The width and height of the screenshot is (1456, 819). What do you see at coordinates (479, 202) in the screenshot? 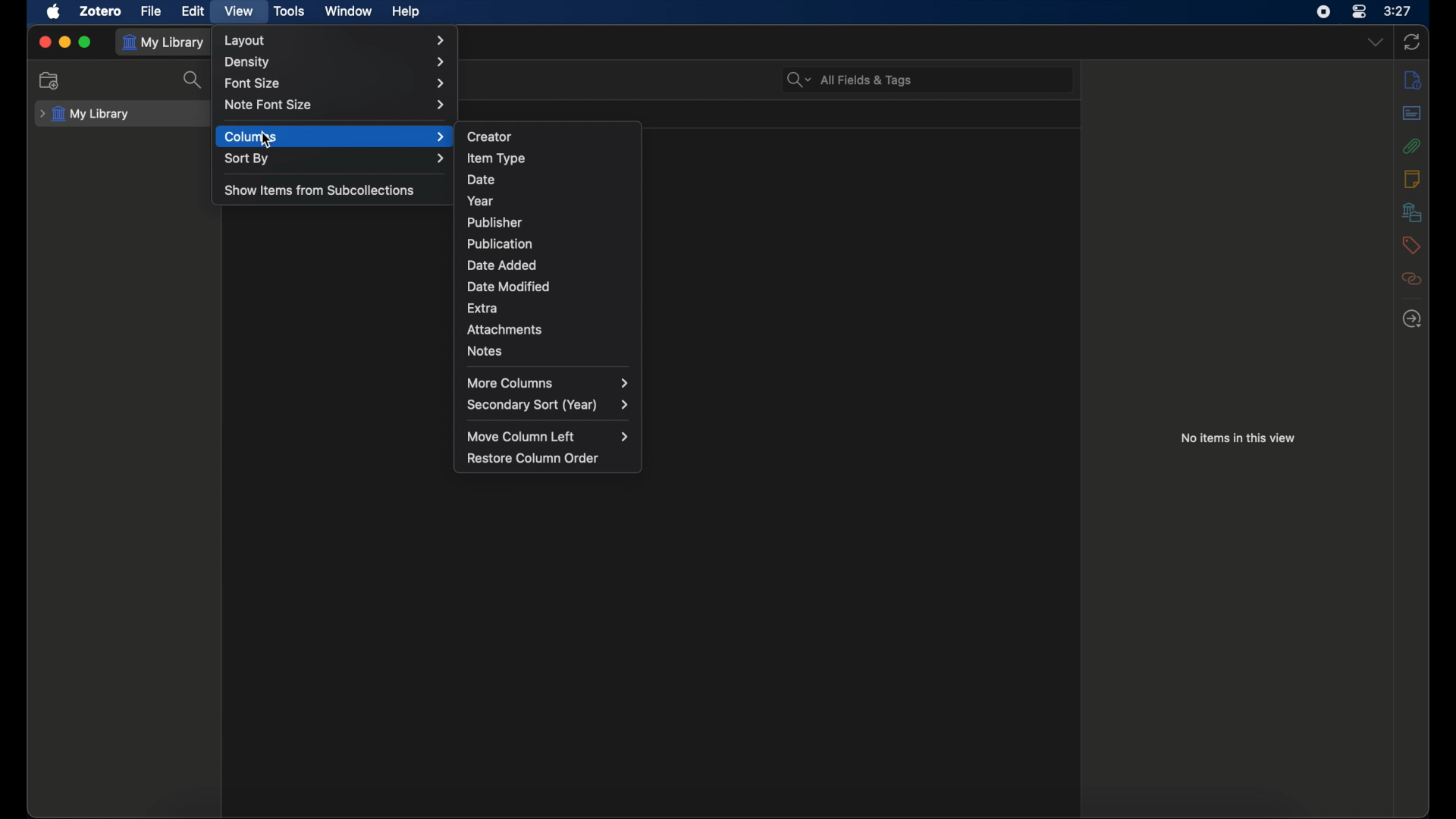
I see `year` at bounding box center [479, 202].